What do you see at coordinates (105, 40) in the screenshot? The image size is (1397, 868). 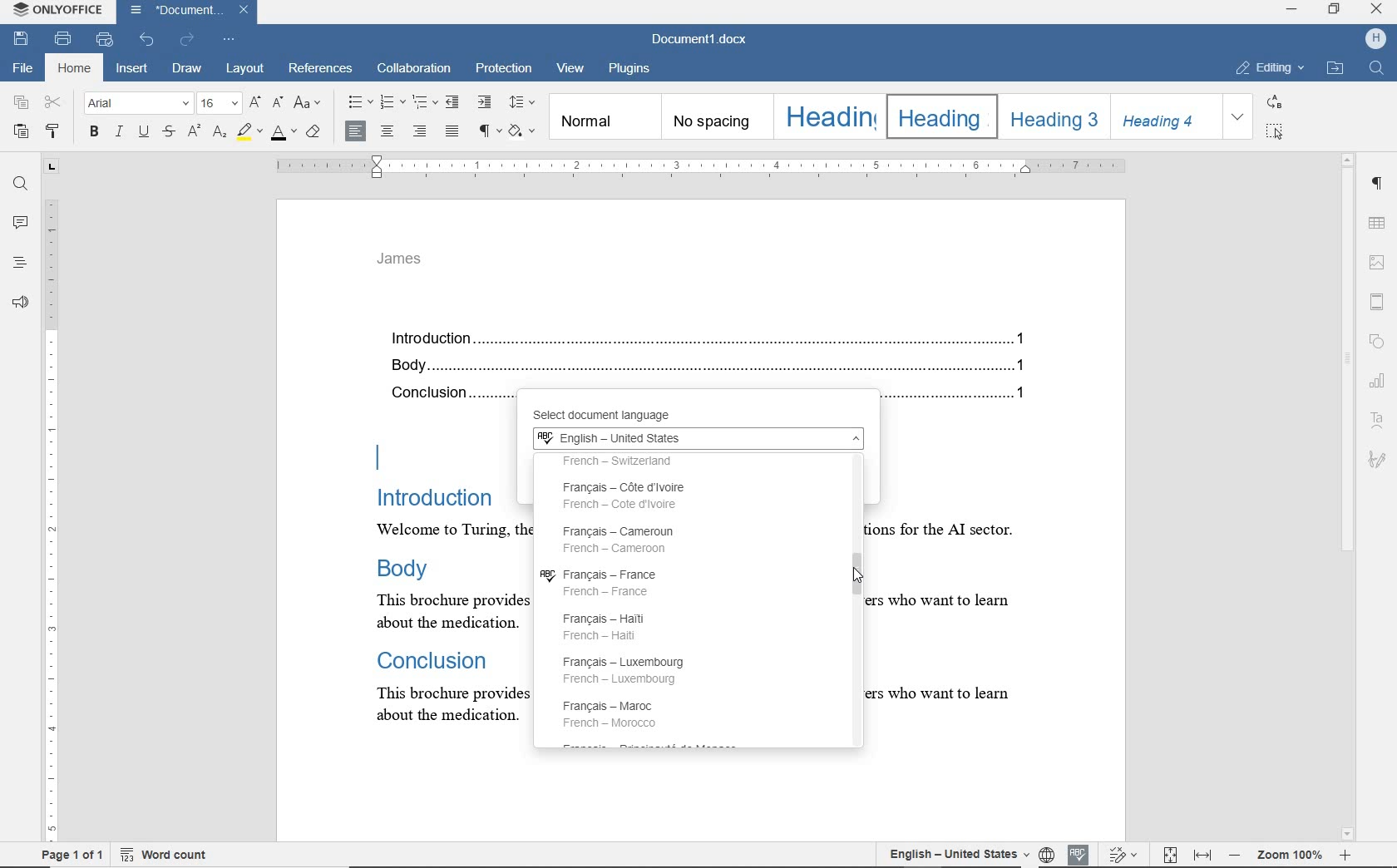 I see `quick print` at bounding box center [105, 40].